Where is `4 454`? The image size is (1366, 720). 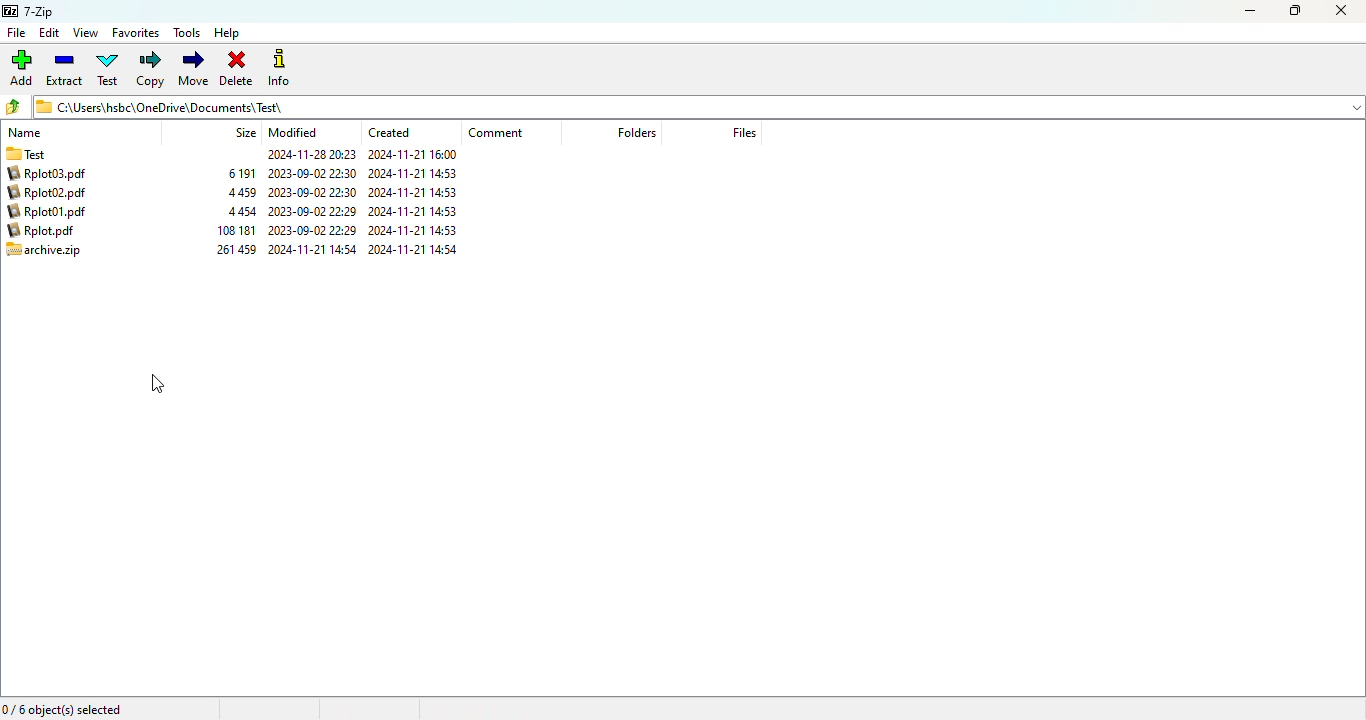 4 454 is located at coordinates (242, 230).